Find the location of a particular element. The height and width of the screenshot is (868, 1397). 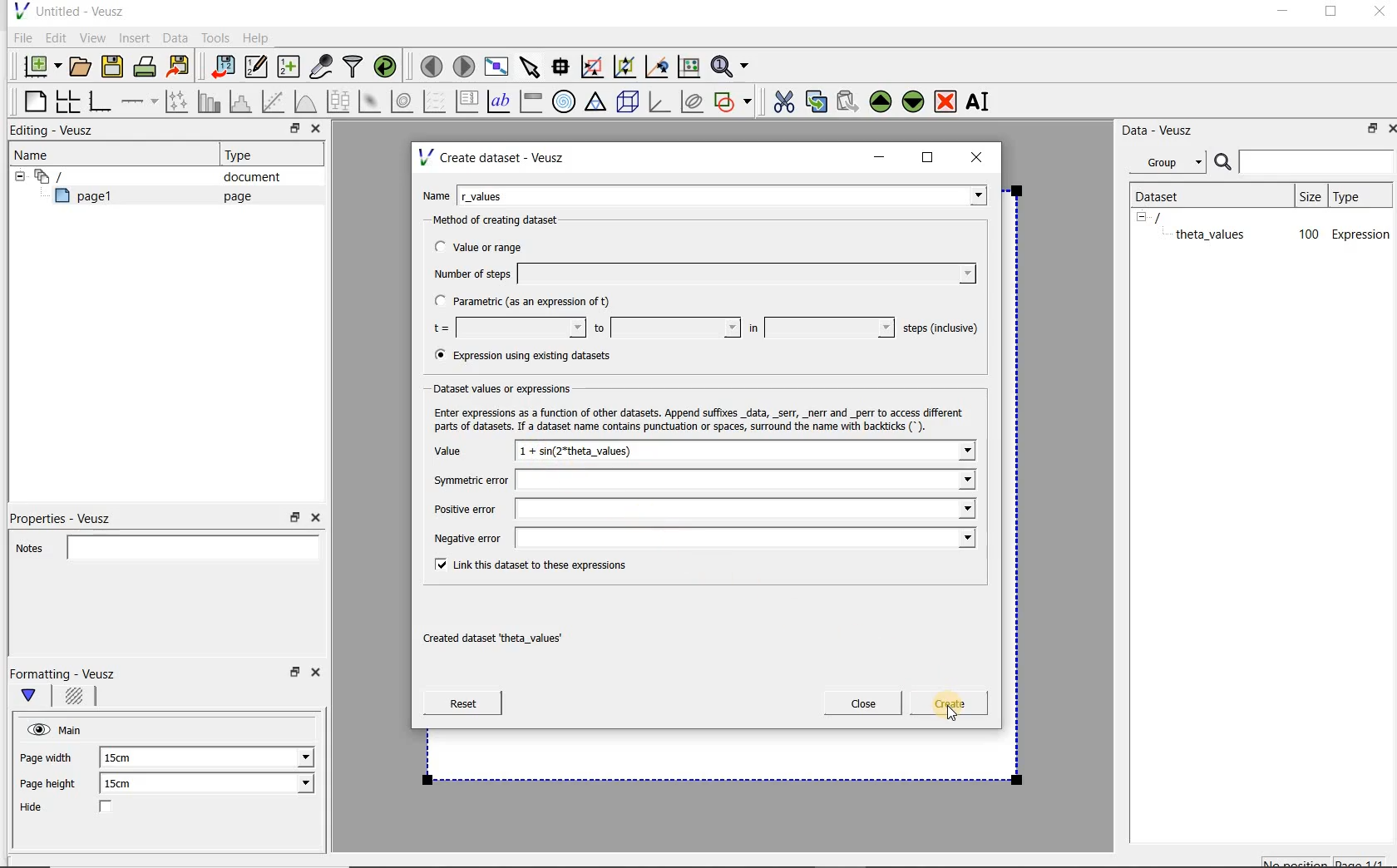

Name is located at coordinates (436, 194).